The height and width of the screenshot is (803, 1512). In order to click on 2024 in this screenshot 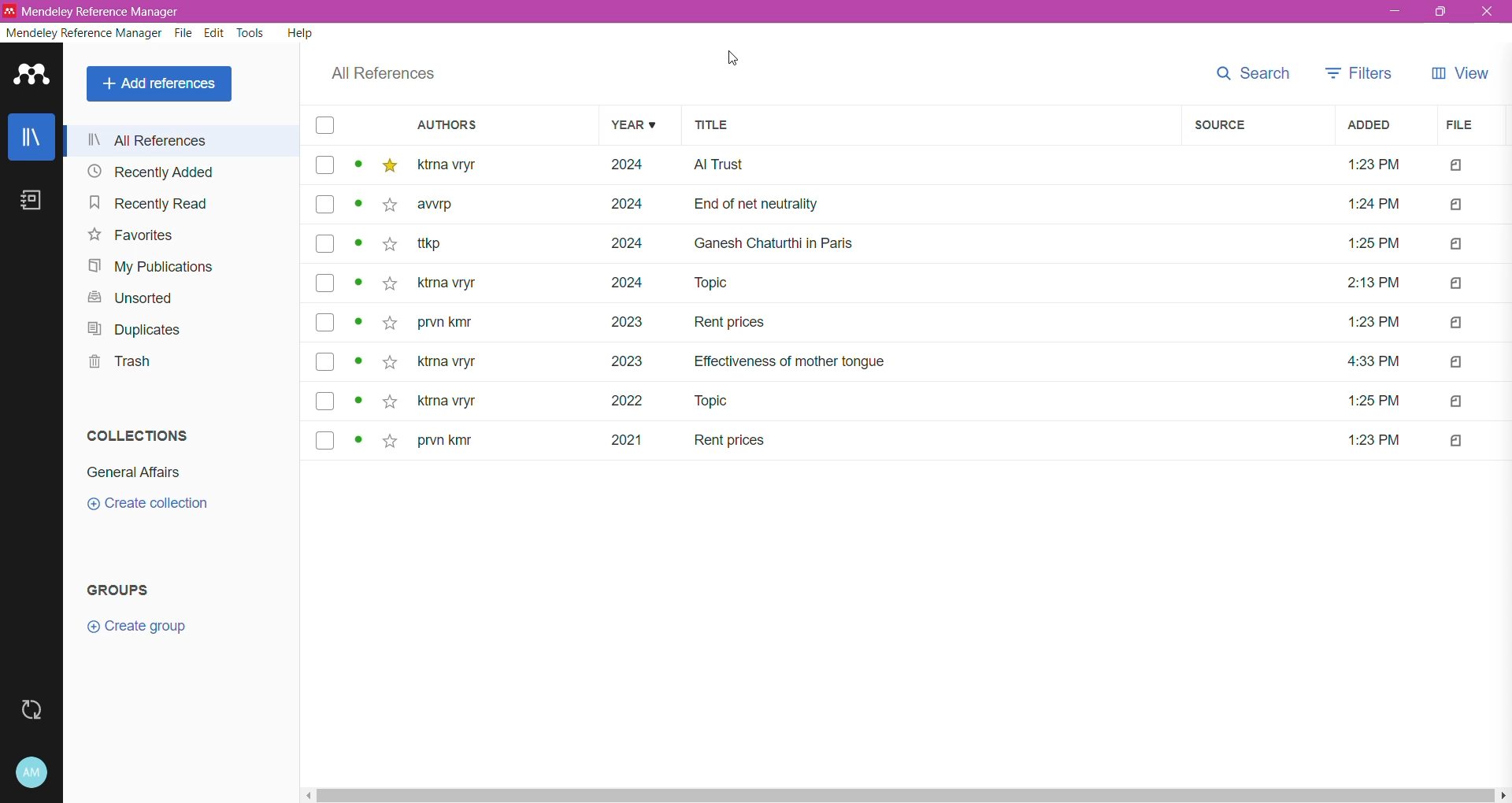, I will do `click(630, 166)`.